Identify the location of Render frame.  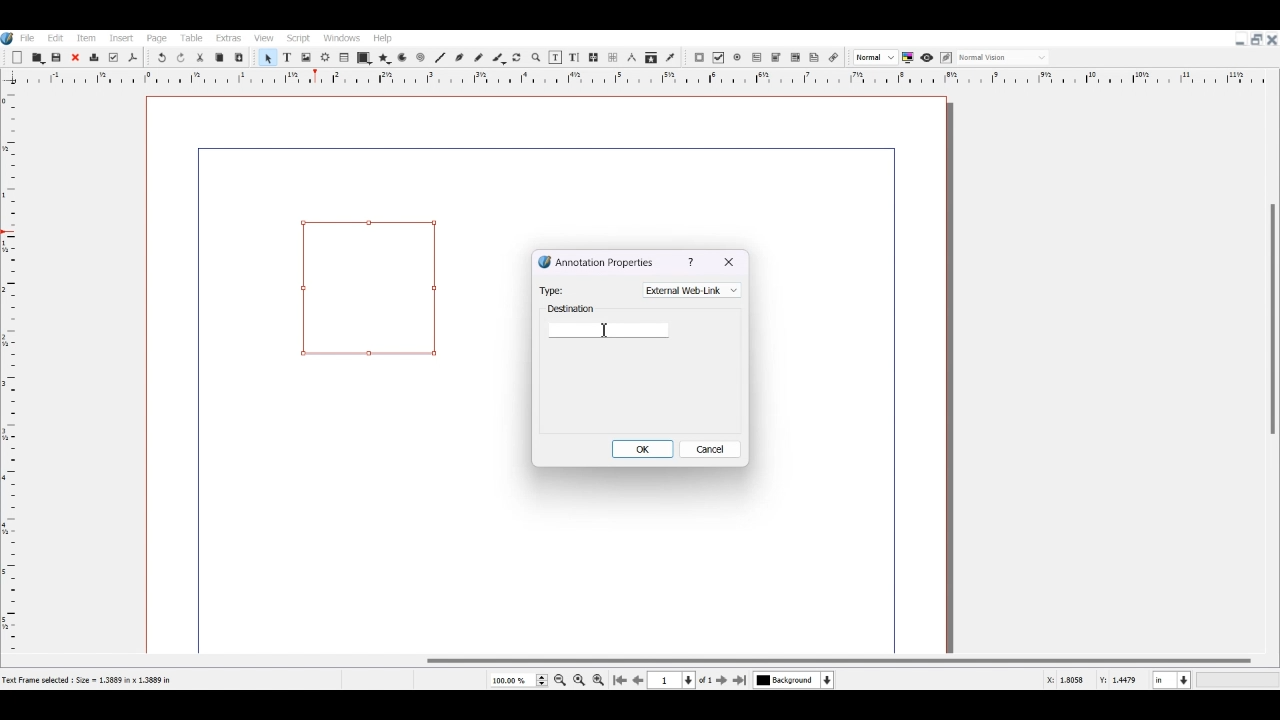
(326, 57).